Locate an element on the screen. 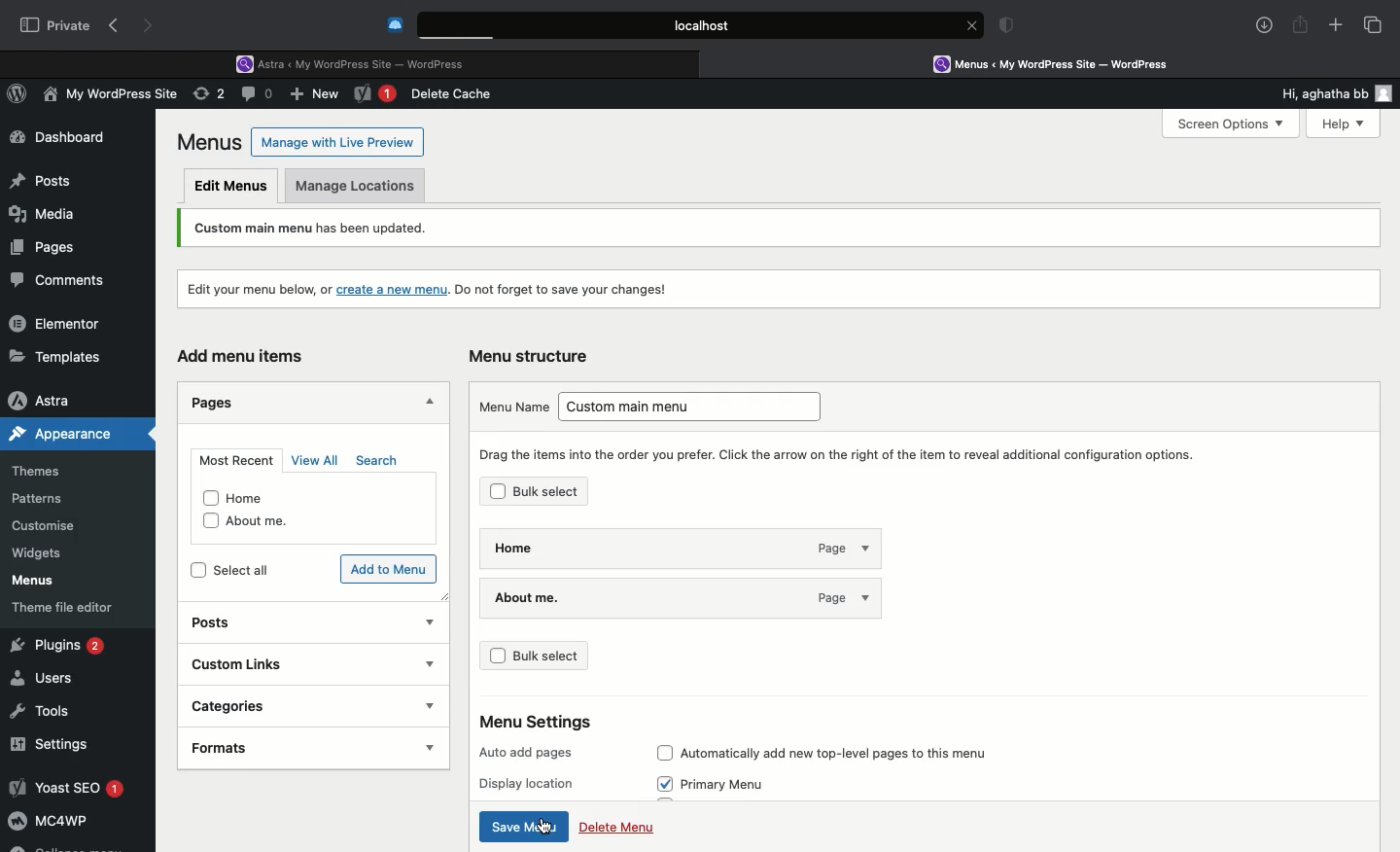 This screenshot has width=1400, height=852. Auto add pages is located at coordinates (532, 754).